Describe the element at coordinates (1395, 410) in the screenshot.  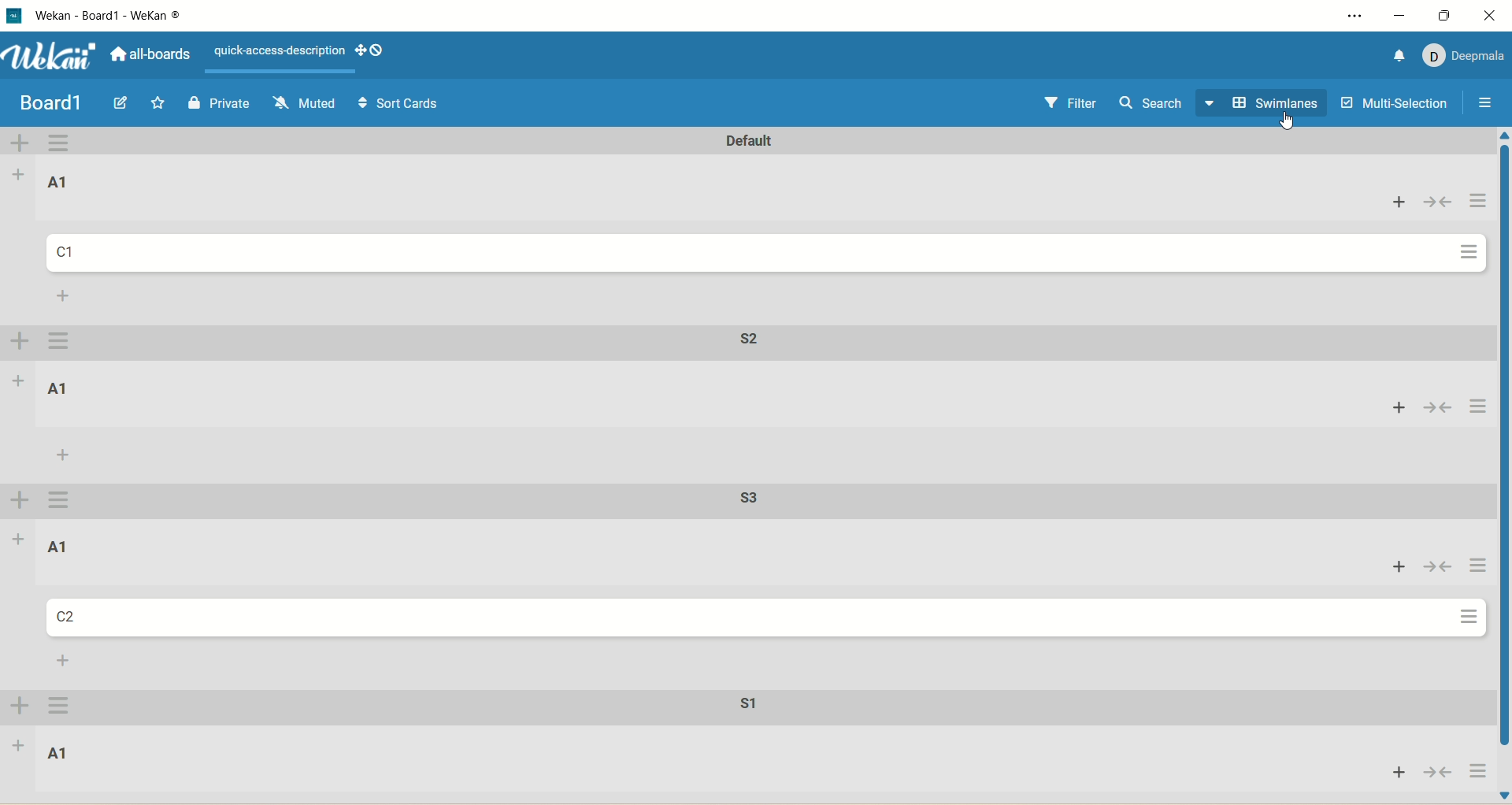
I see `add` at that location.